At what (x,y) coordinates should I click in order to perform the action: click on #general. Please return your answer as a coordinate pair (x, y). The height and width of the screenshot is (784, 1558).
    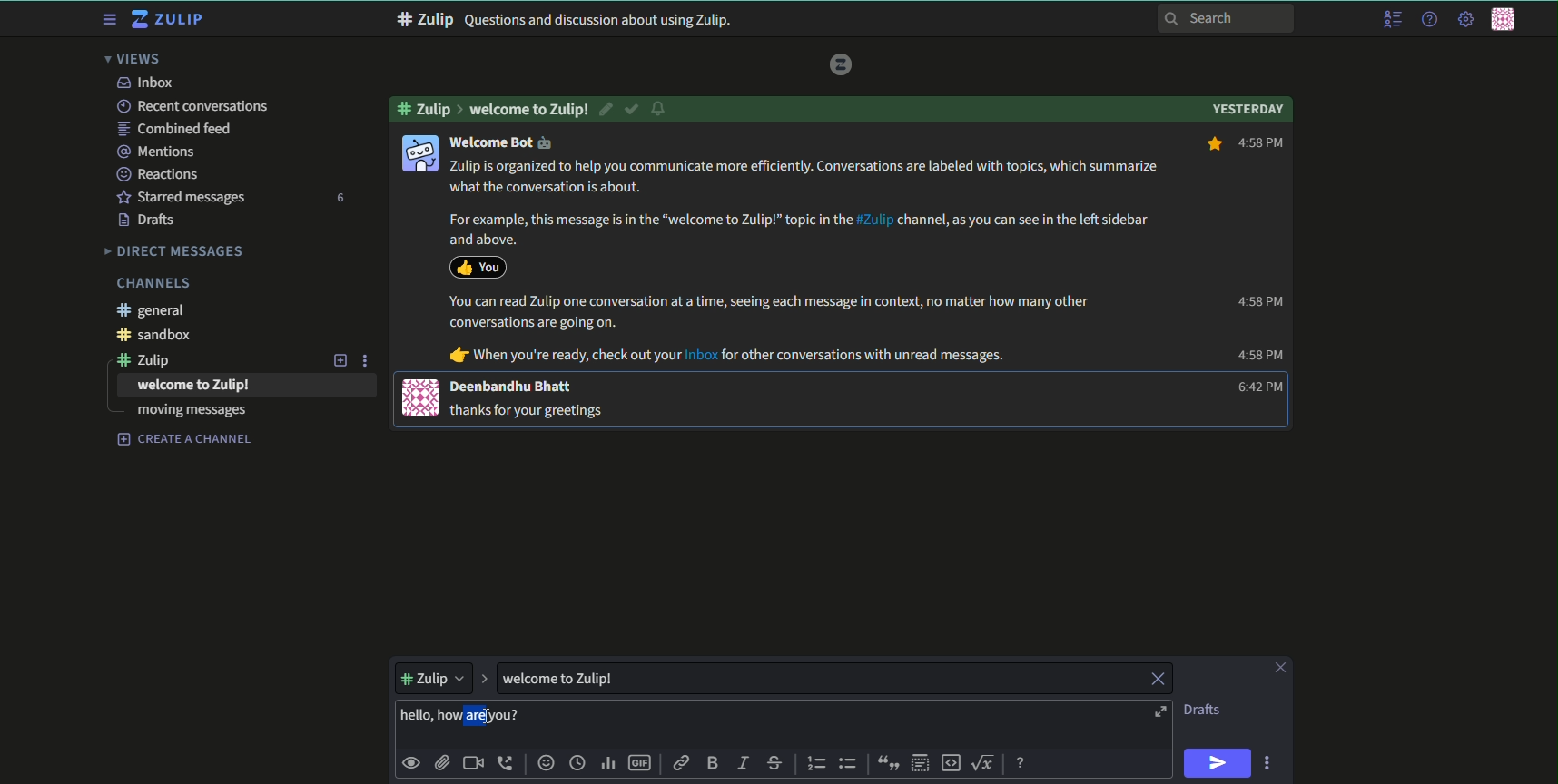
    Looking at the image, I should click on (156, 310).